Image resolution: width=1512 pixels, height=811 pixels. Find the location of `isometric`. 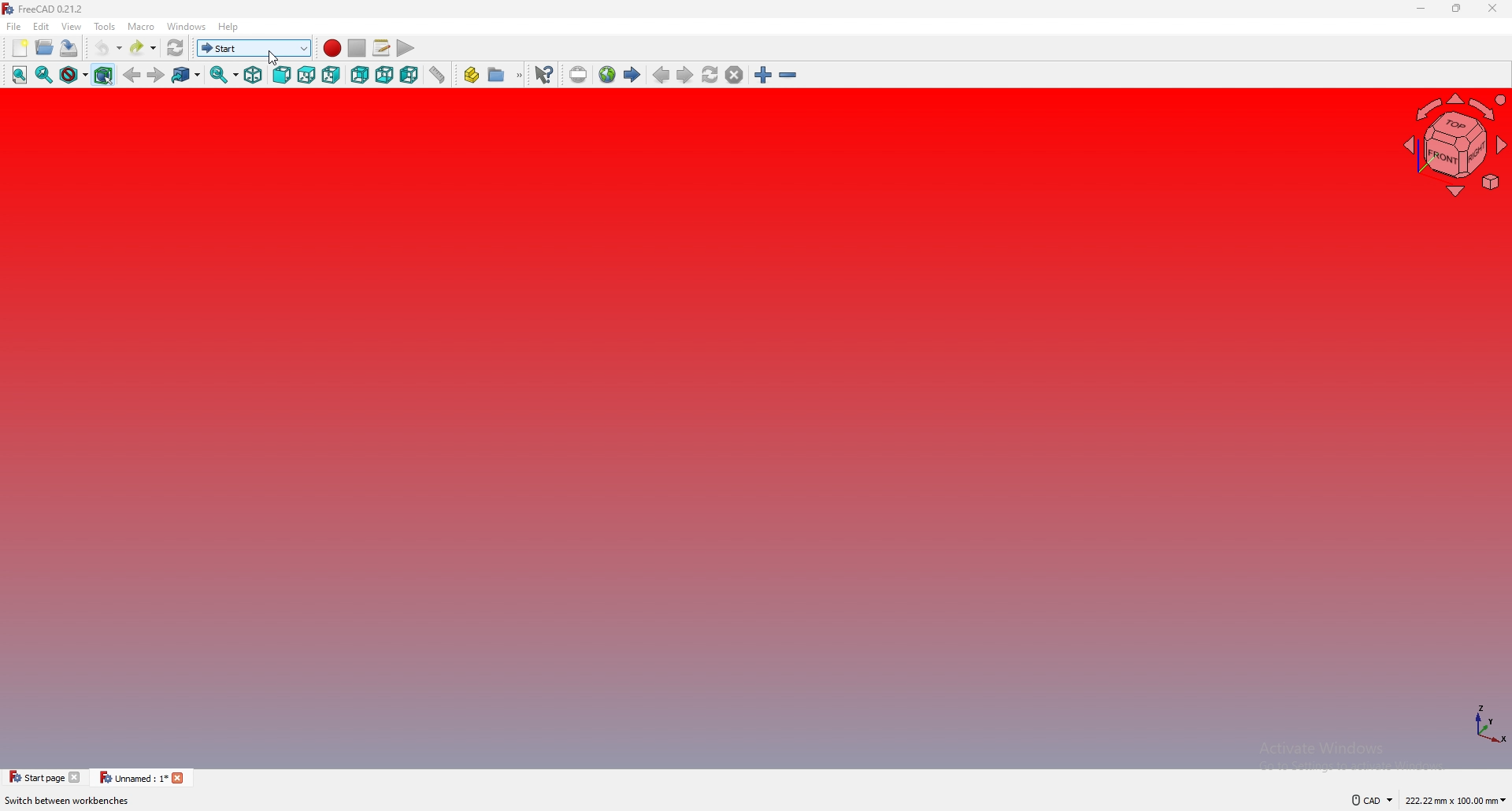

isometric is located at coordinates (254, 75).